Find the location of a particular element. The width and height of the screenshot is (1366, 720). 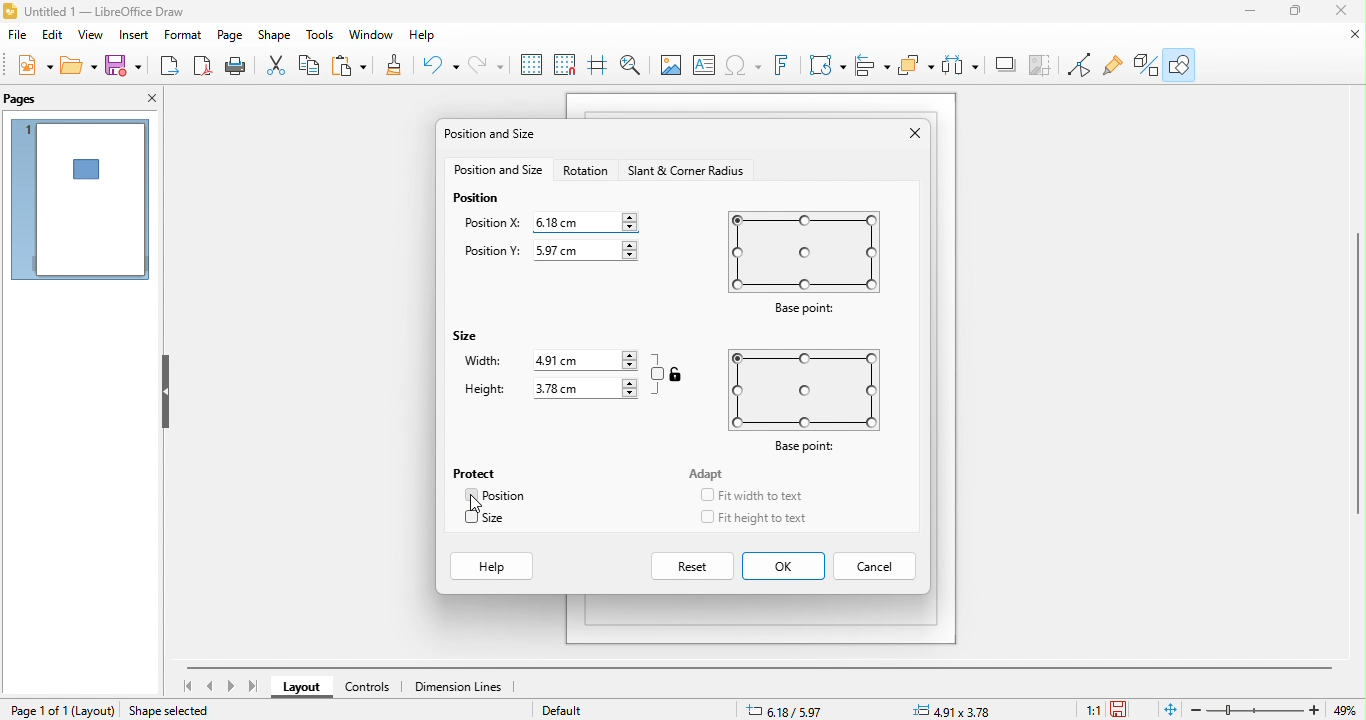

horizontal scroll bar is located at coordinates (760, 667).